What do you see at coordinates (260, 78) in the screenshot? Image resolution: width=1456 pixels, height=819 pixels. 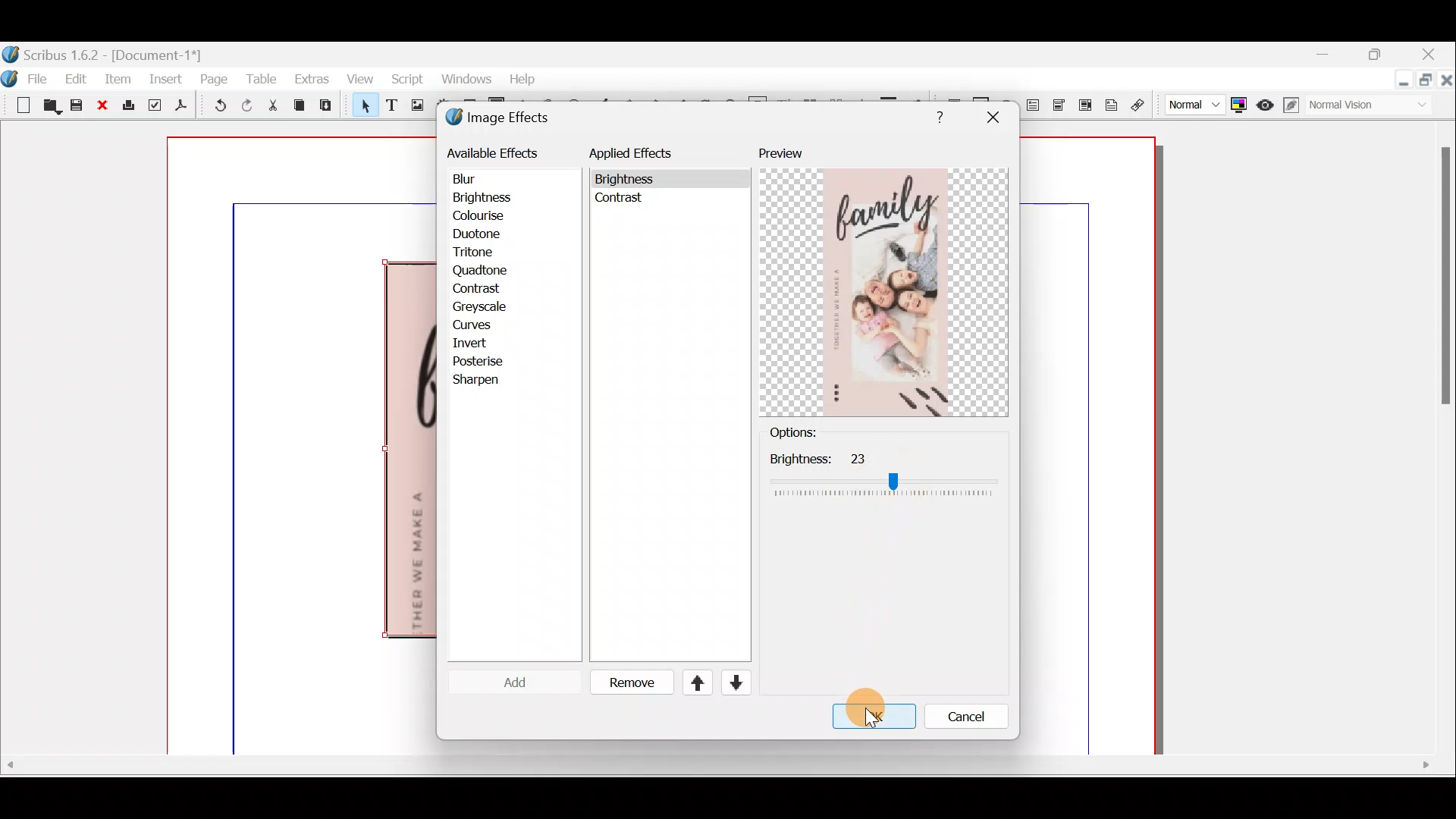 I see `Table` at bounding box center [260, 78].